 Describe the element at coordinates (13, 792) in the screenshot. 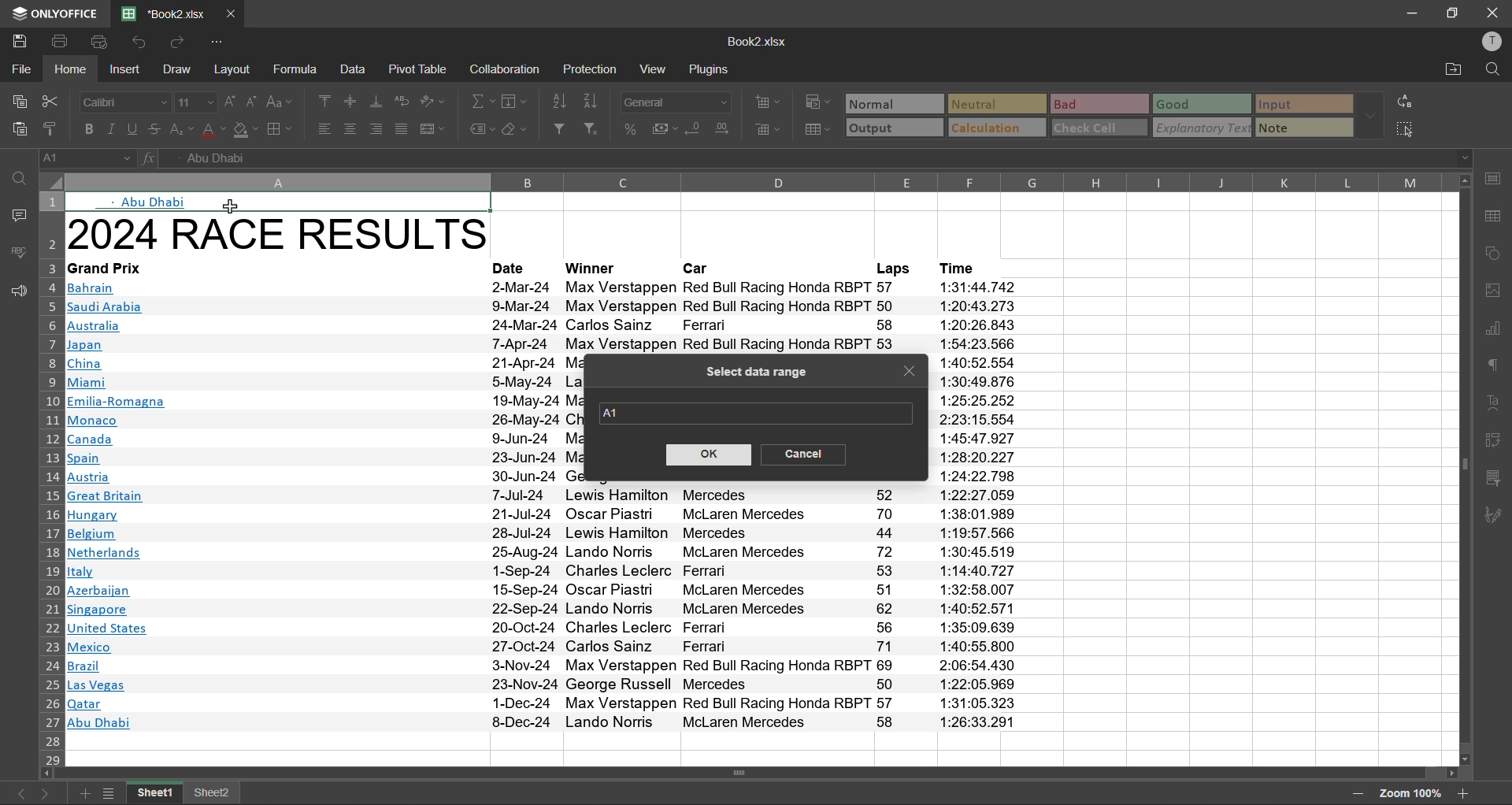

I see `previous` at that location.